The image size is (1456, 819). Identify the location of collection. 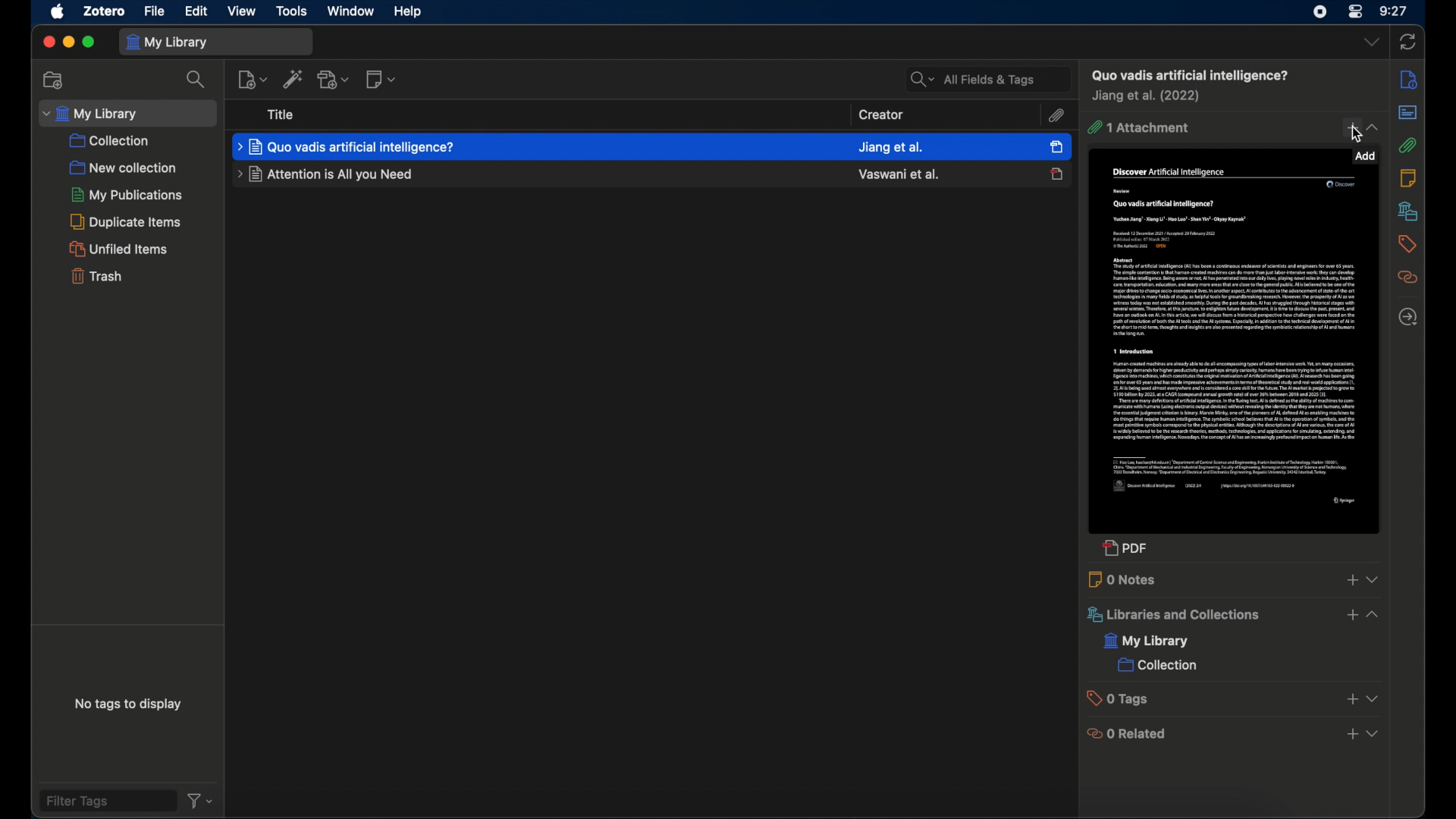
(1156, 667).